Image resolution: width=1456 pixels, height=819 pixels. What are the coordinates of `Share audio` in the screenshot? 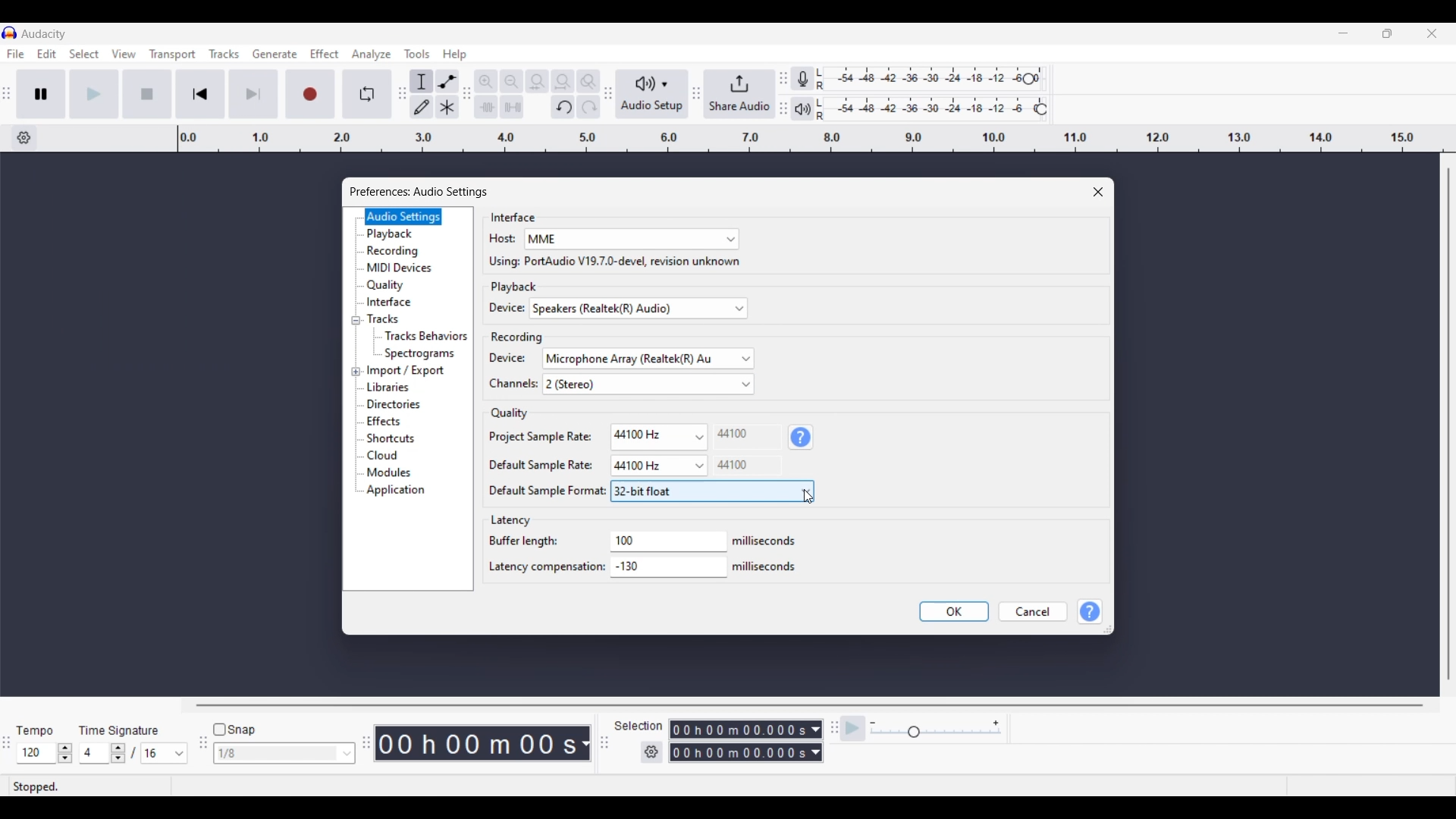 It's located at (739, 94).